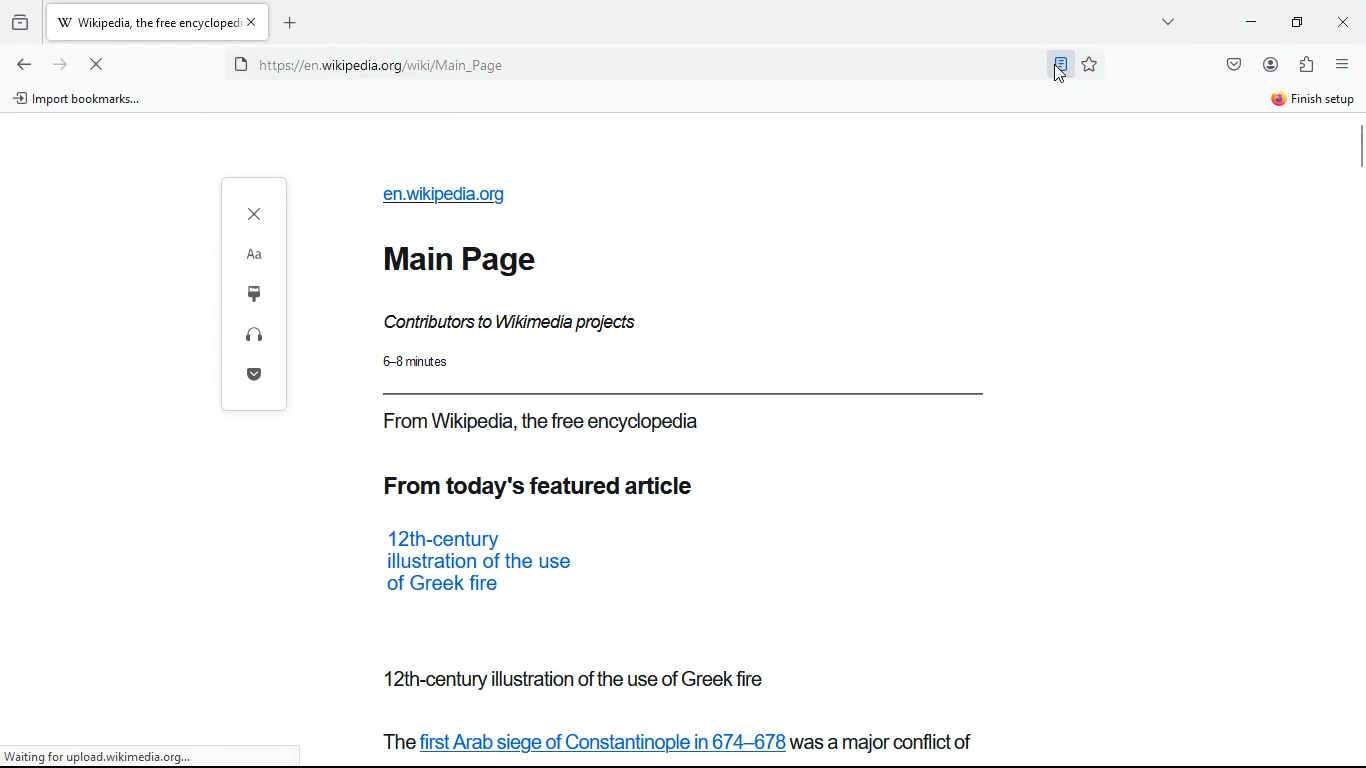 The width and height of the screenshot is (1366, 768). Describe the element at coordinates (83, 99) in the screenshot. I see `import bookmarks...` at that location.